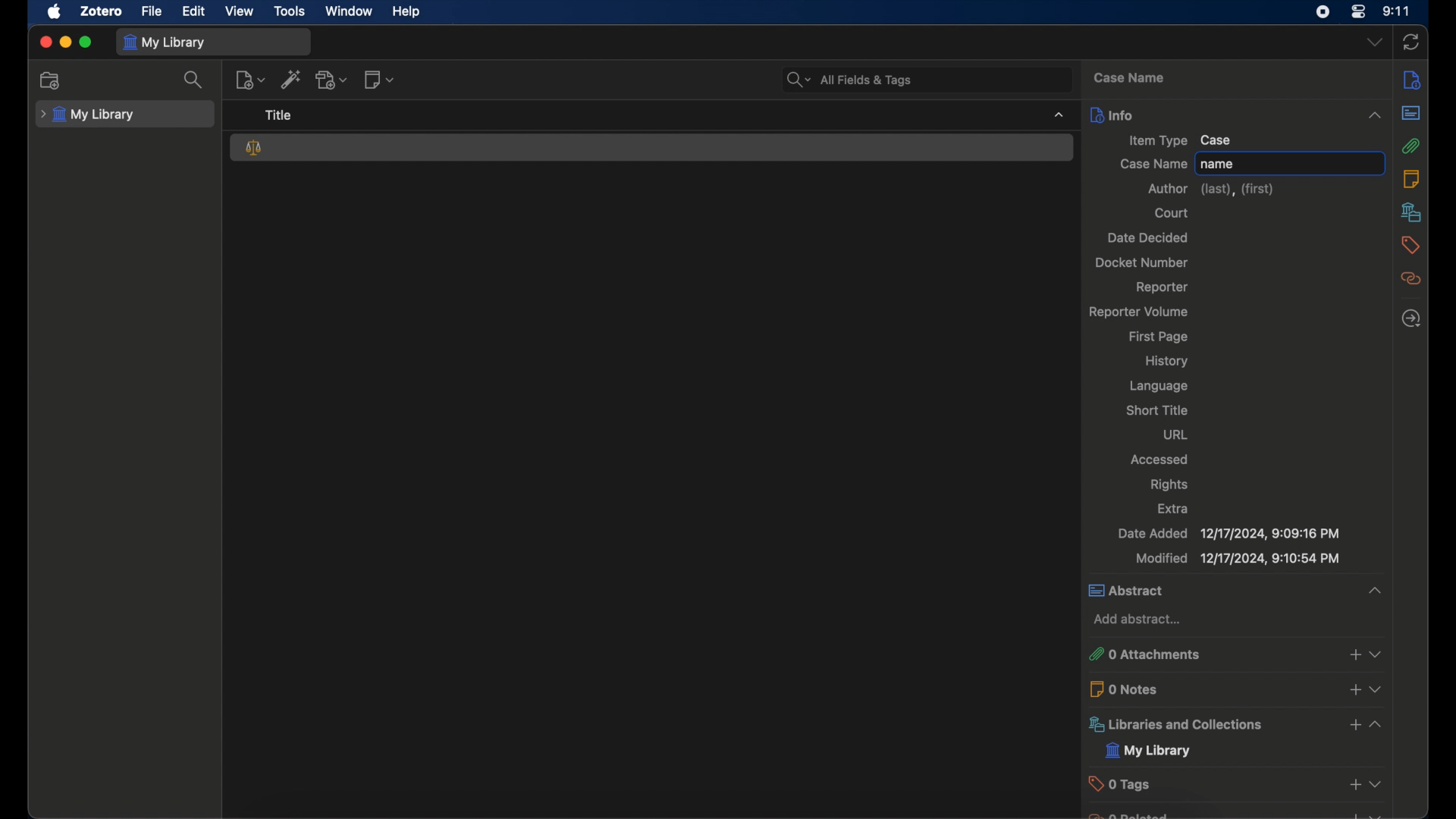 The image size is (1456, 819). I want to click on court, so click(1173, 212).